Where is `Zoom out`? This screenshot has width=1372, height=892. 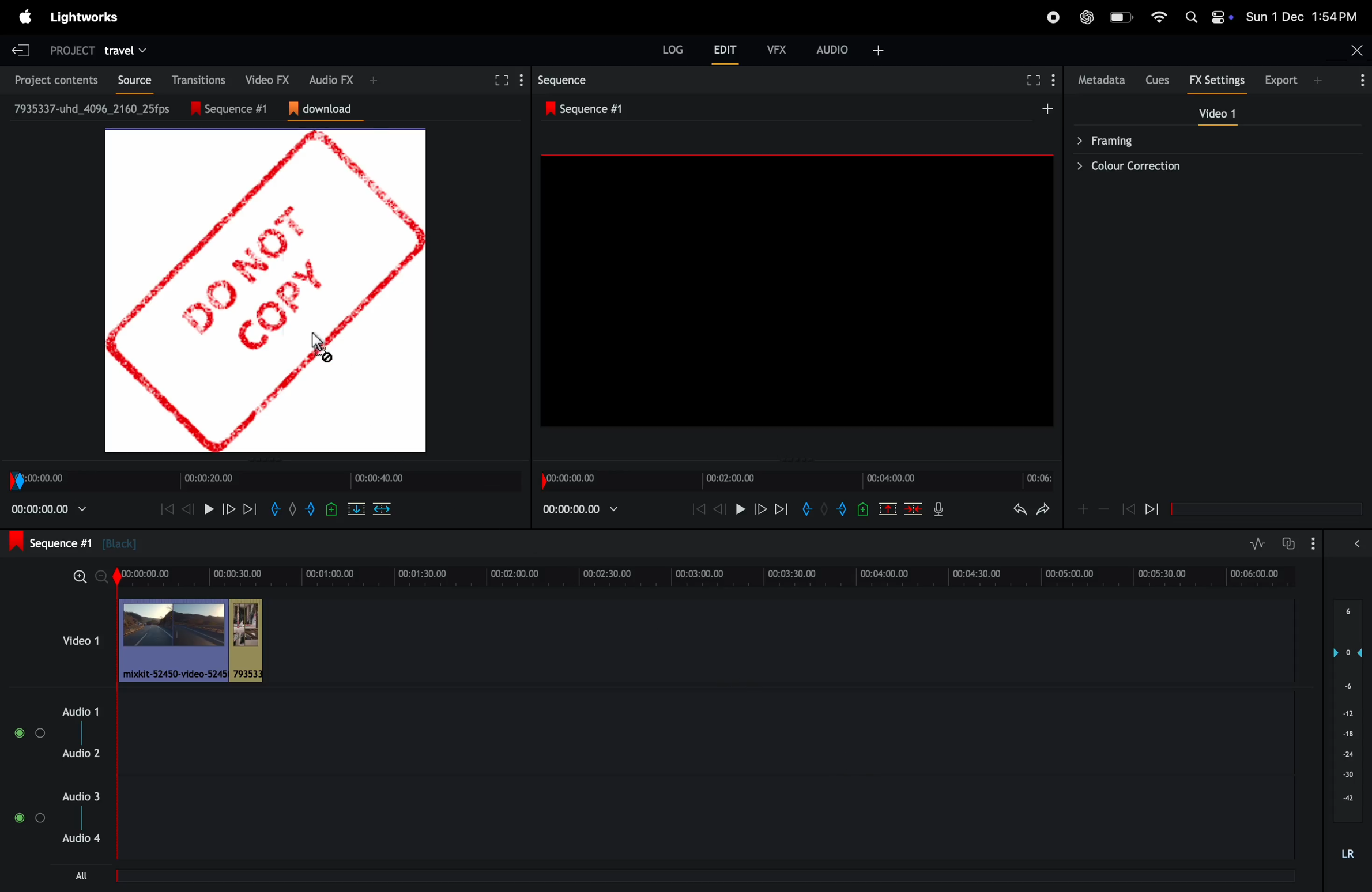 Zoom out is located at coordinates (101, 577).